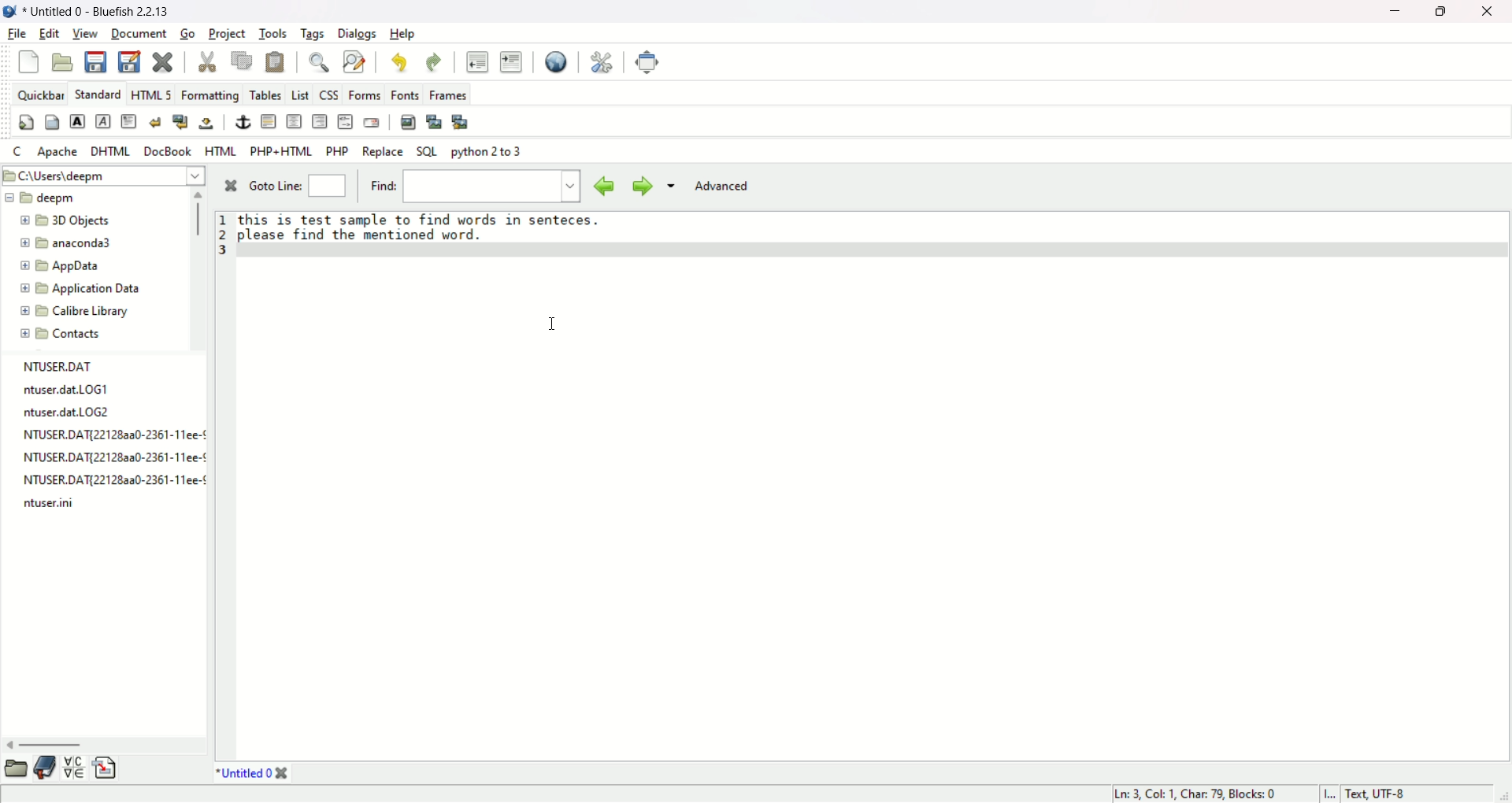 Image resolution: width=1512 pixels, height=803 pixels. Describe the element at coordinates (49, 34) in the screenshot. I see `edit` at that location.